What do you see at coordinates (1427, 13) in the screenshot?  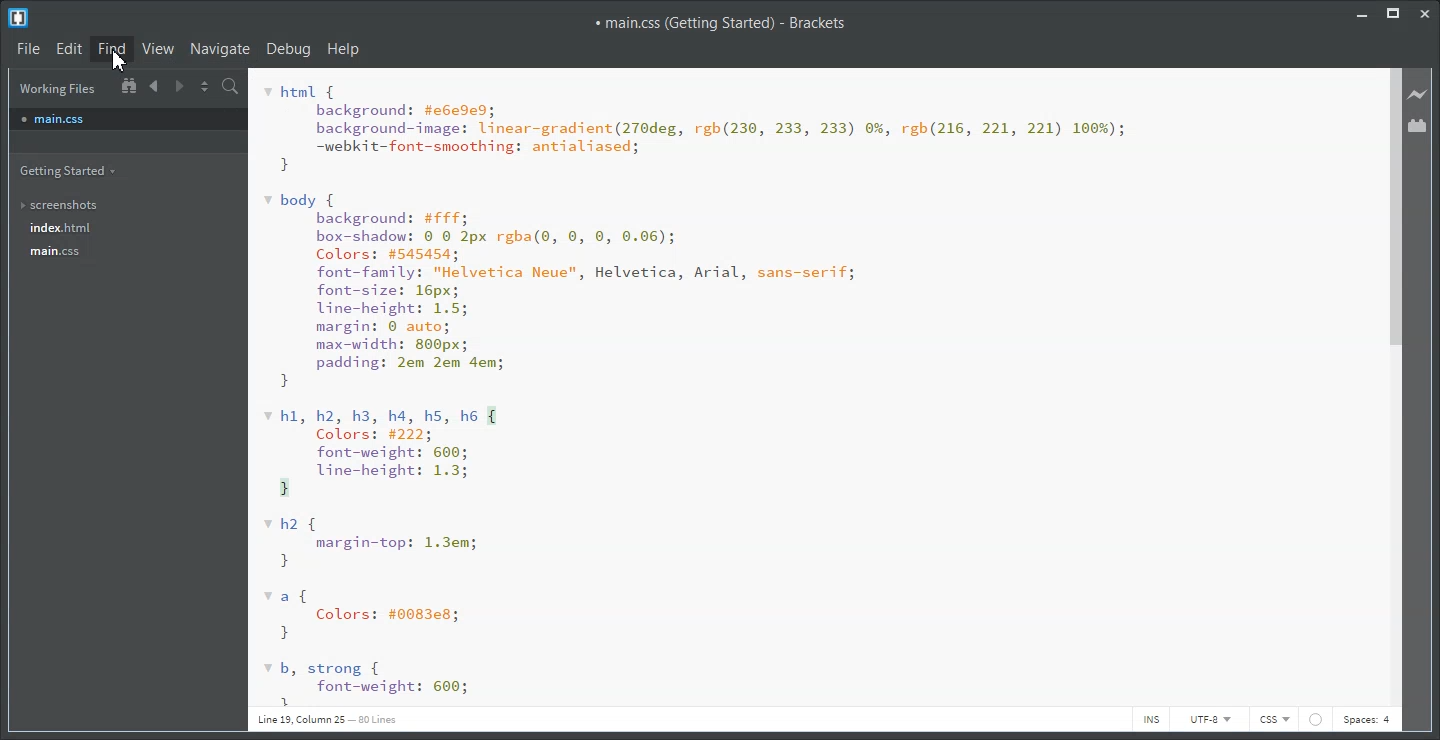 I see `Close` at bounding box center [1427, 13].